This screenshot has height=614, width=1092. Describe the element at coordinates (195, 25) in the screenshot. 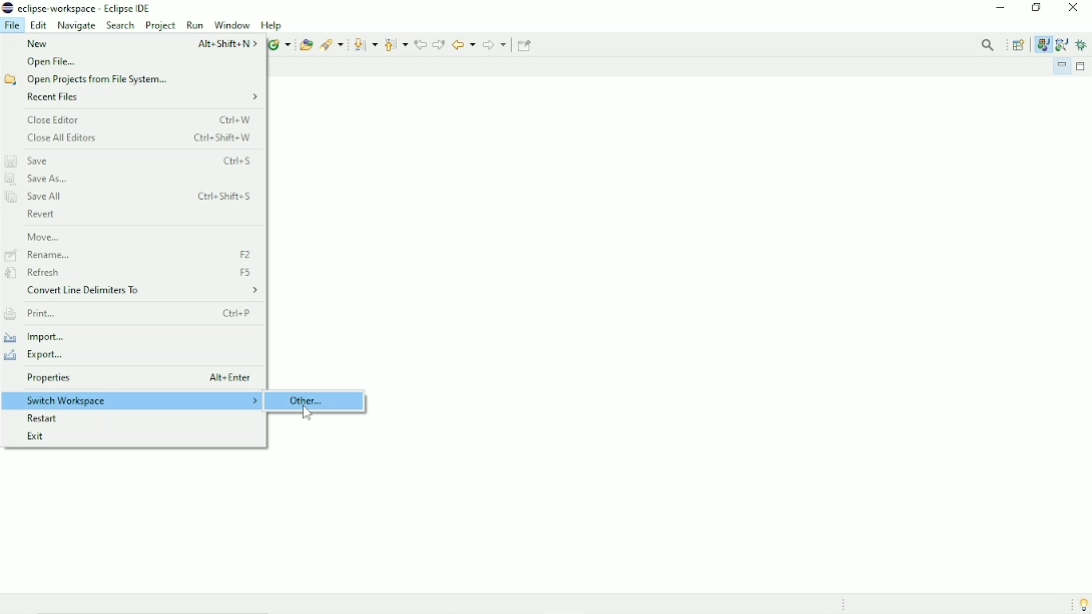

I see `Run` at that location.